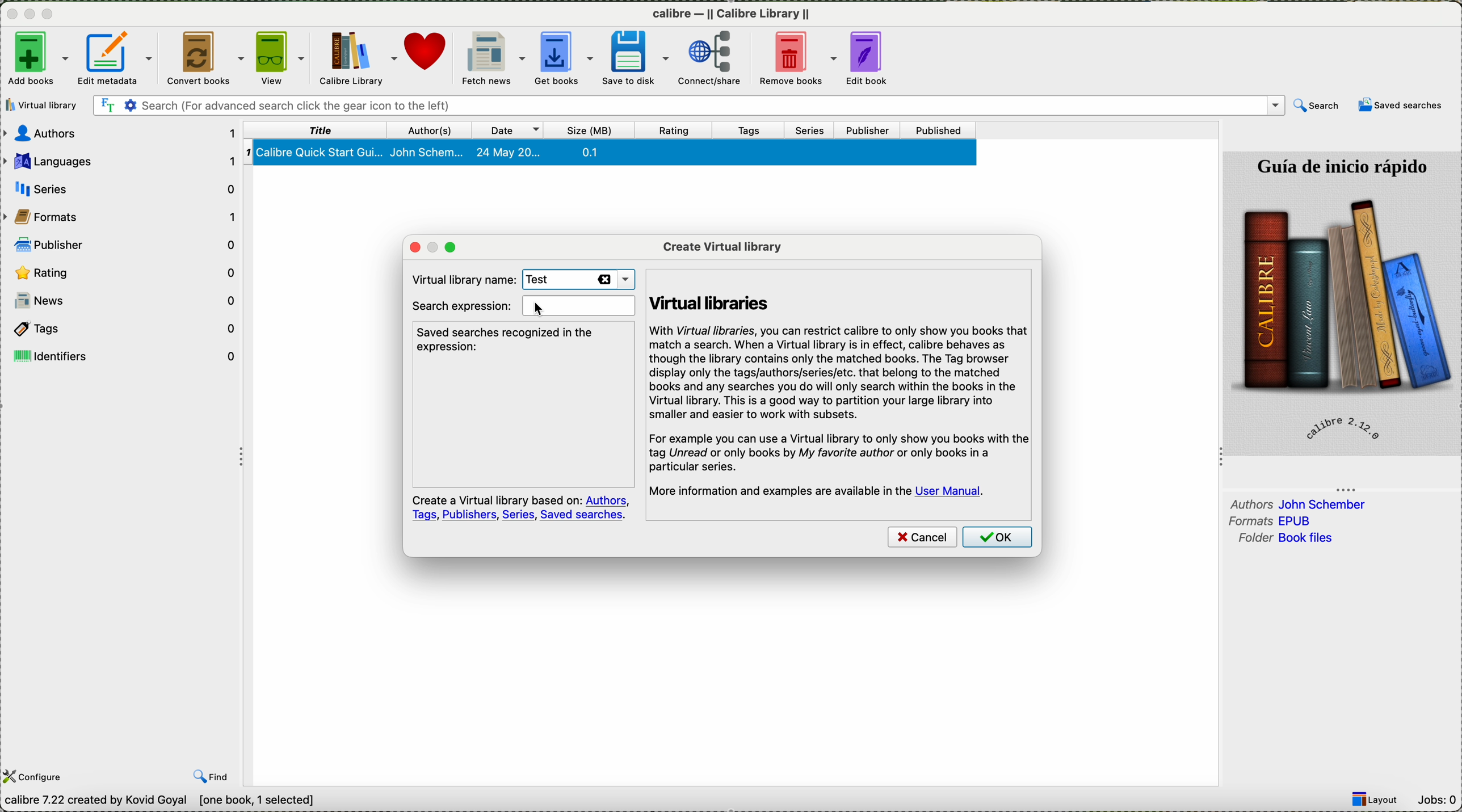 This screenshot has width=1462, height=812. Describe the element at coordinates (716, 60) in the screenshot. I see `connect/share` at that location.